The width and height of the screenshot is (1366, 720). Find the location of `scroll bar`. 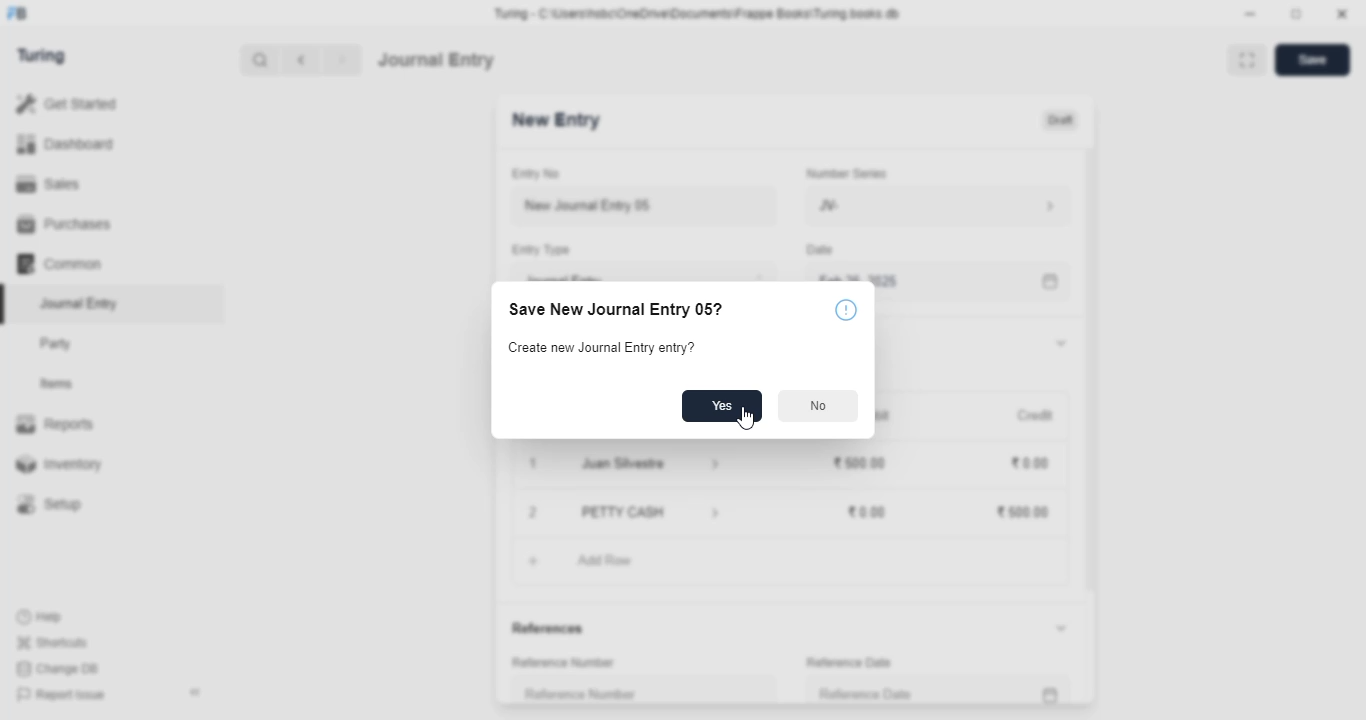

scroll bar is located at coordinates (1091, 424).